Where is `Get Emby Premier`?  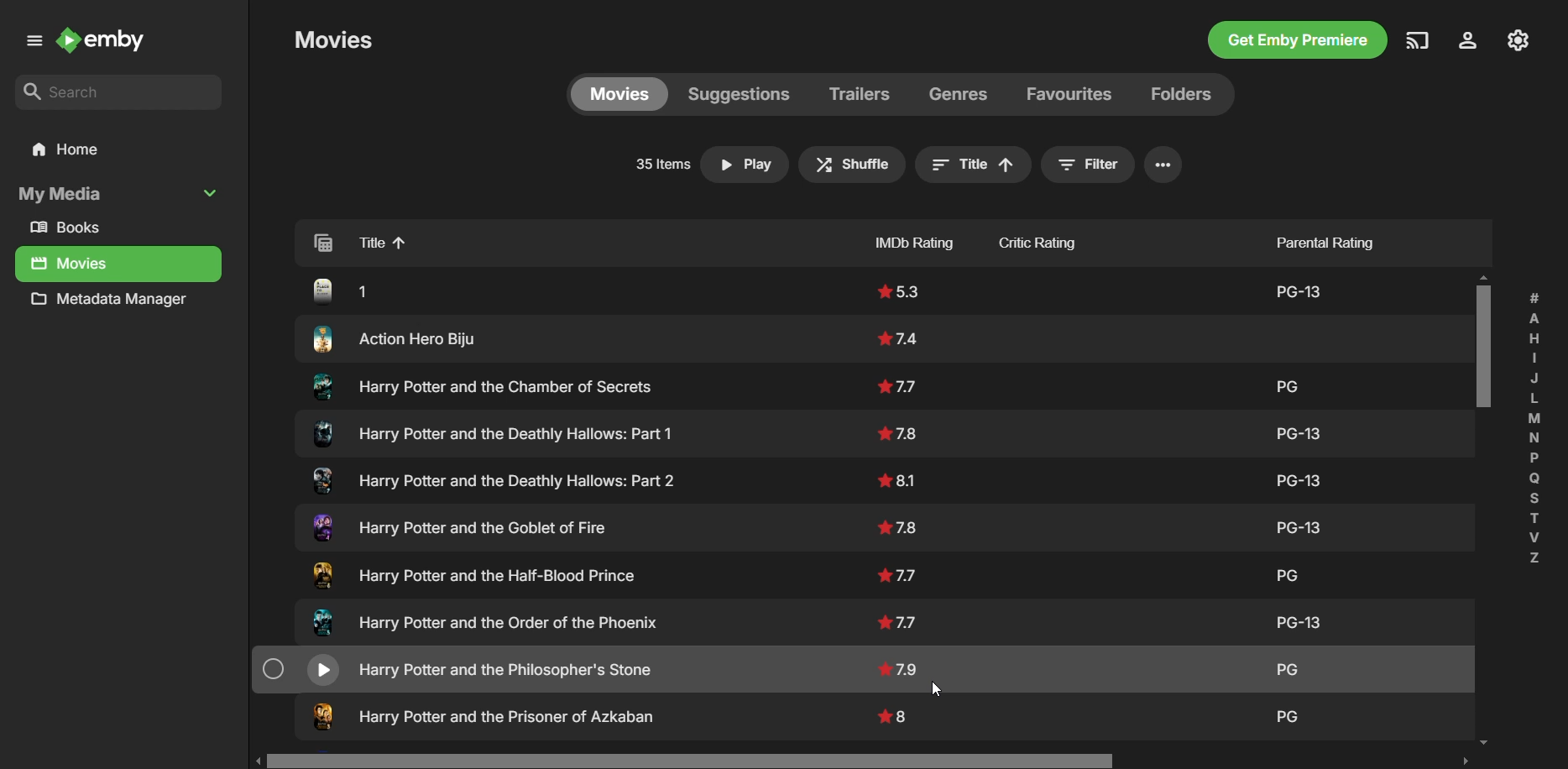
Get Emby Premier is located at coordinates (1295, 42).